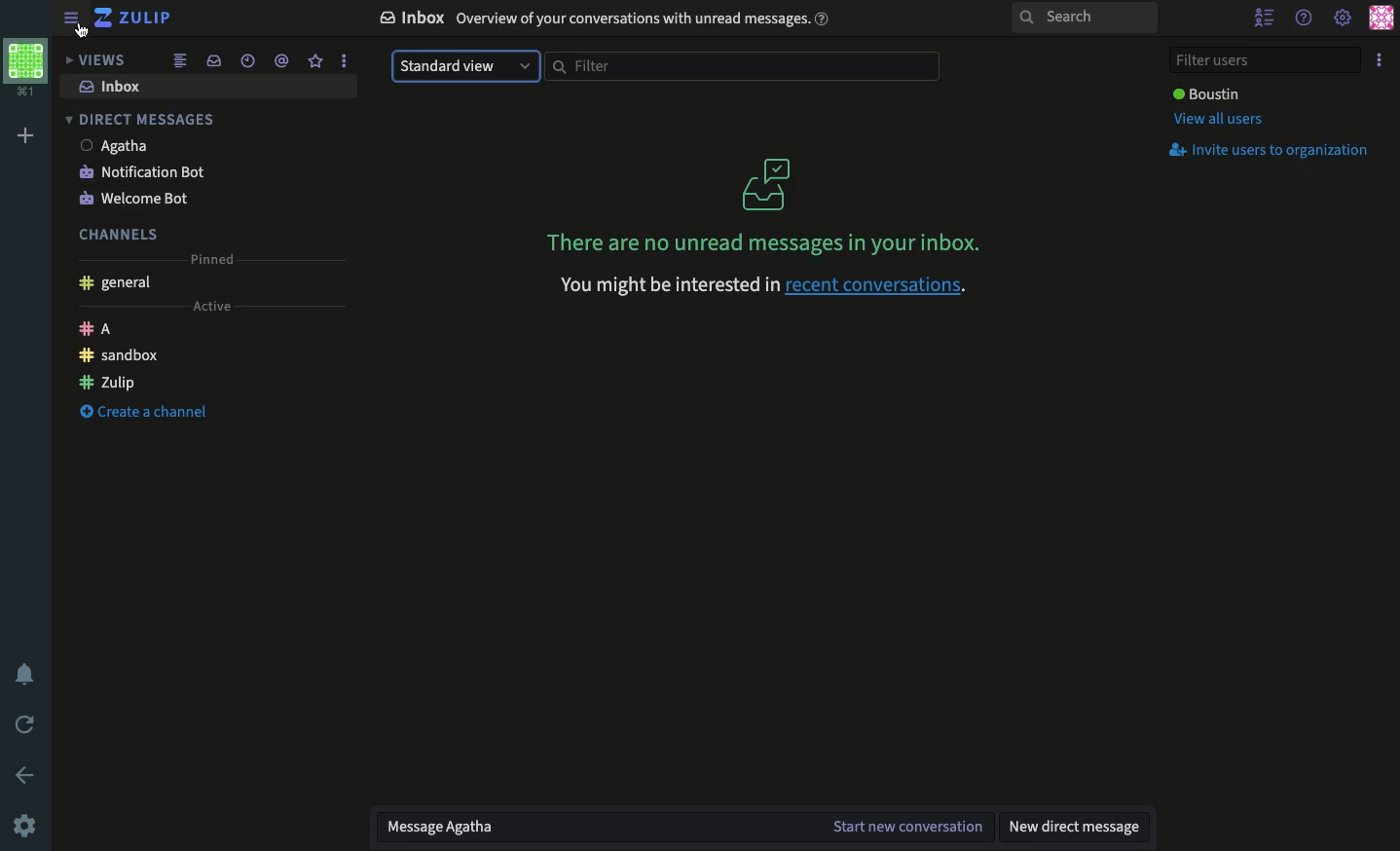 The height and width of the screenshot is (851, 1400). What do you see at coordinates (27, 138) in the screenshot?
I see `Add` at bounding box center [27, 138].